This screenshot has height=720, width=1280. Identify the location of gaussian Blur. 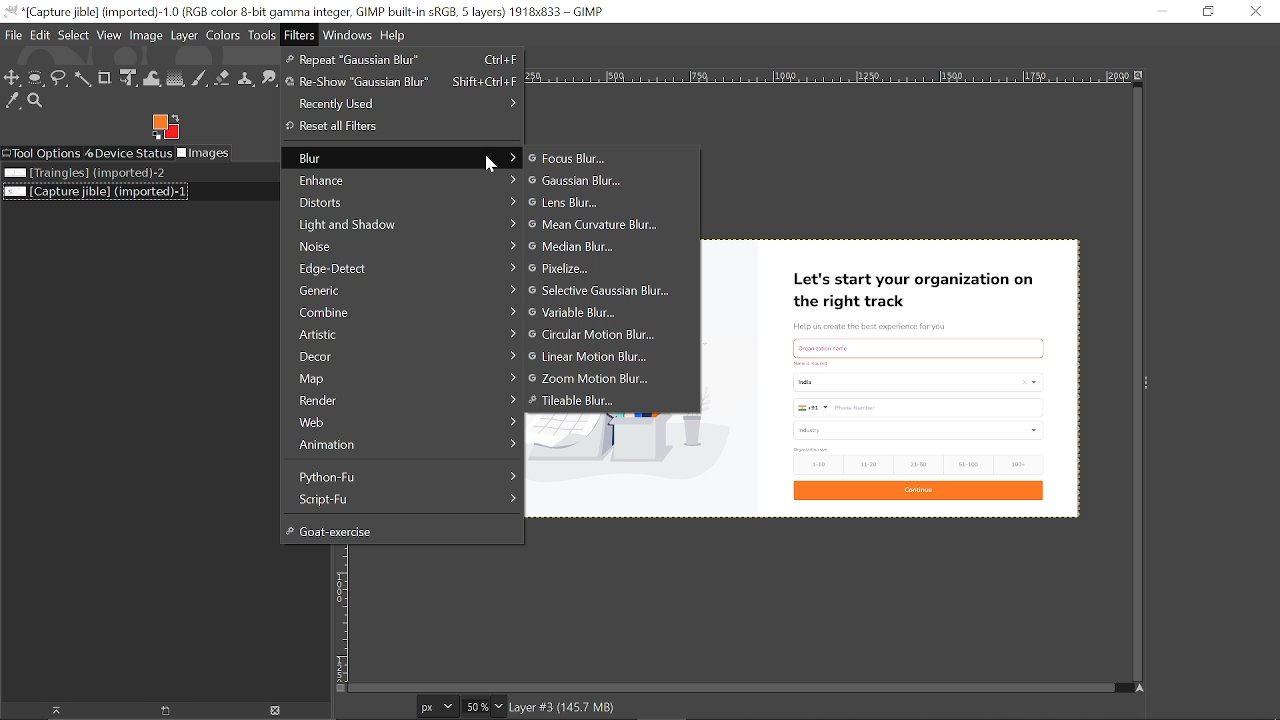
(610, 180).